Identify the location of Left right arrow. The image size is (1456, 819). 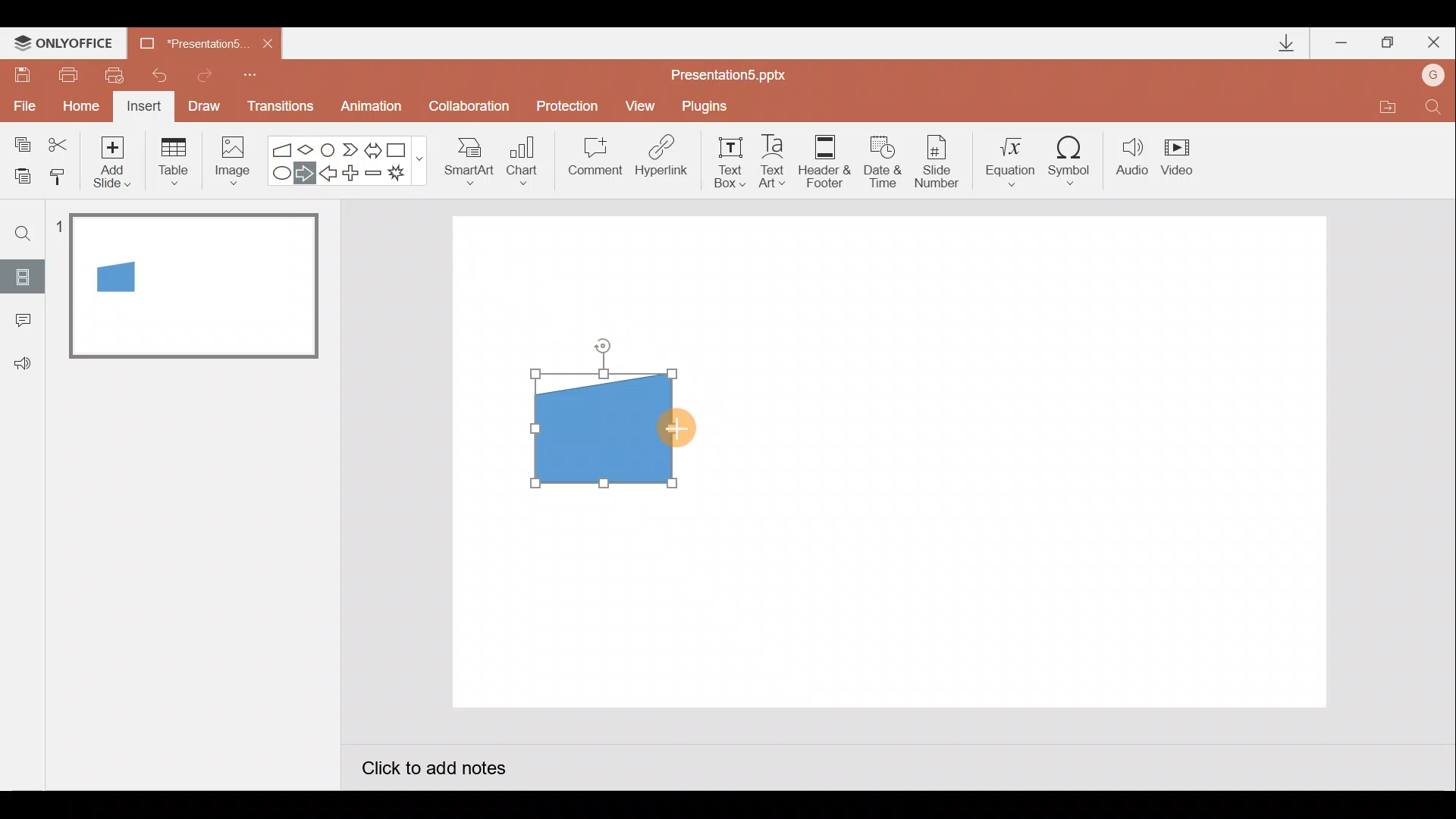
(375, 147).